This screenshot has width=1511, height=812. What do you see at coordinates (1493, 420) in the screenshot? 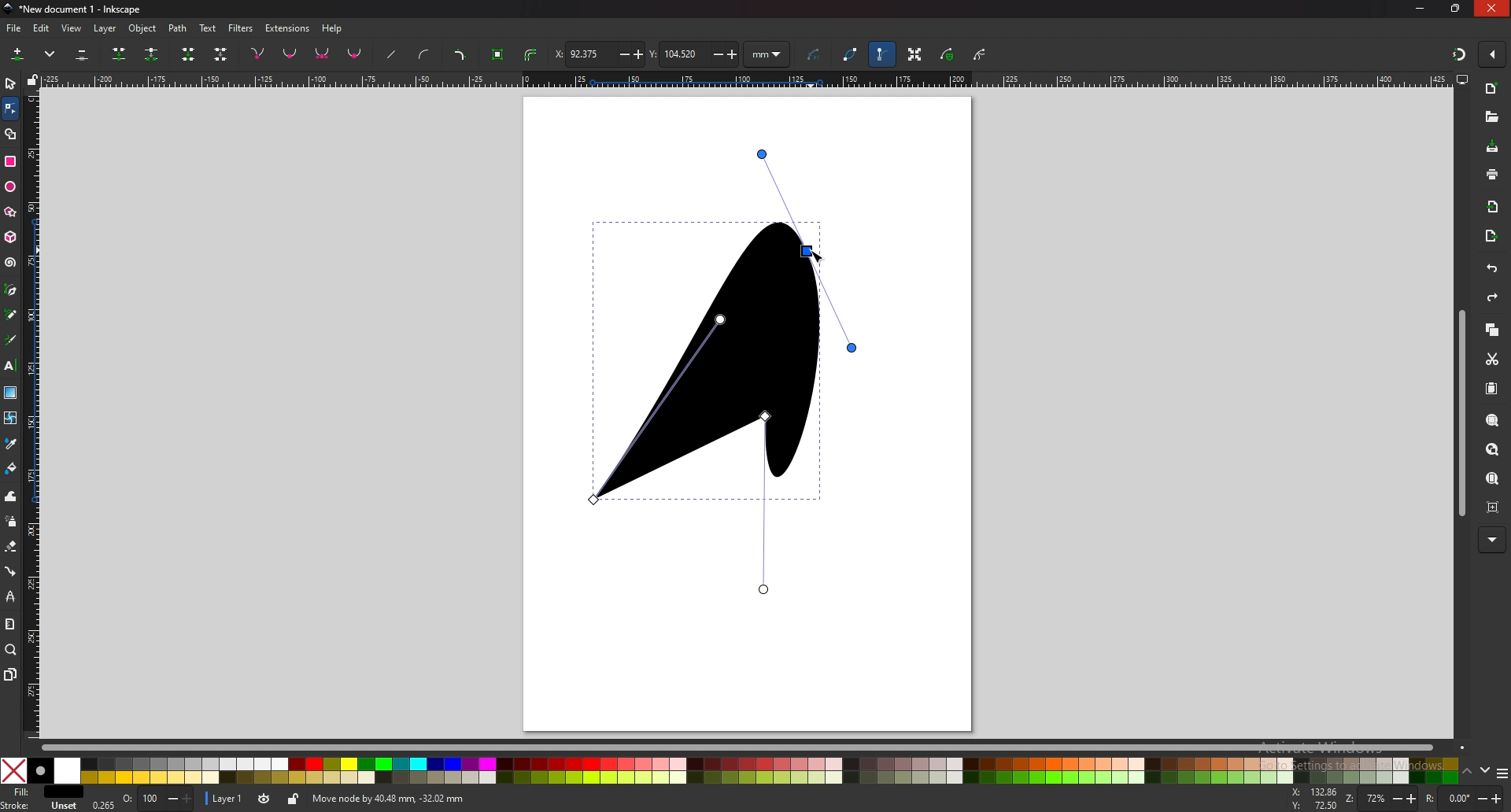
I see `zoom selection` at bounding box center [1493, 420].